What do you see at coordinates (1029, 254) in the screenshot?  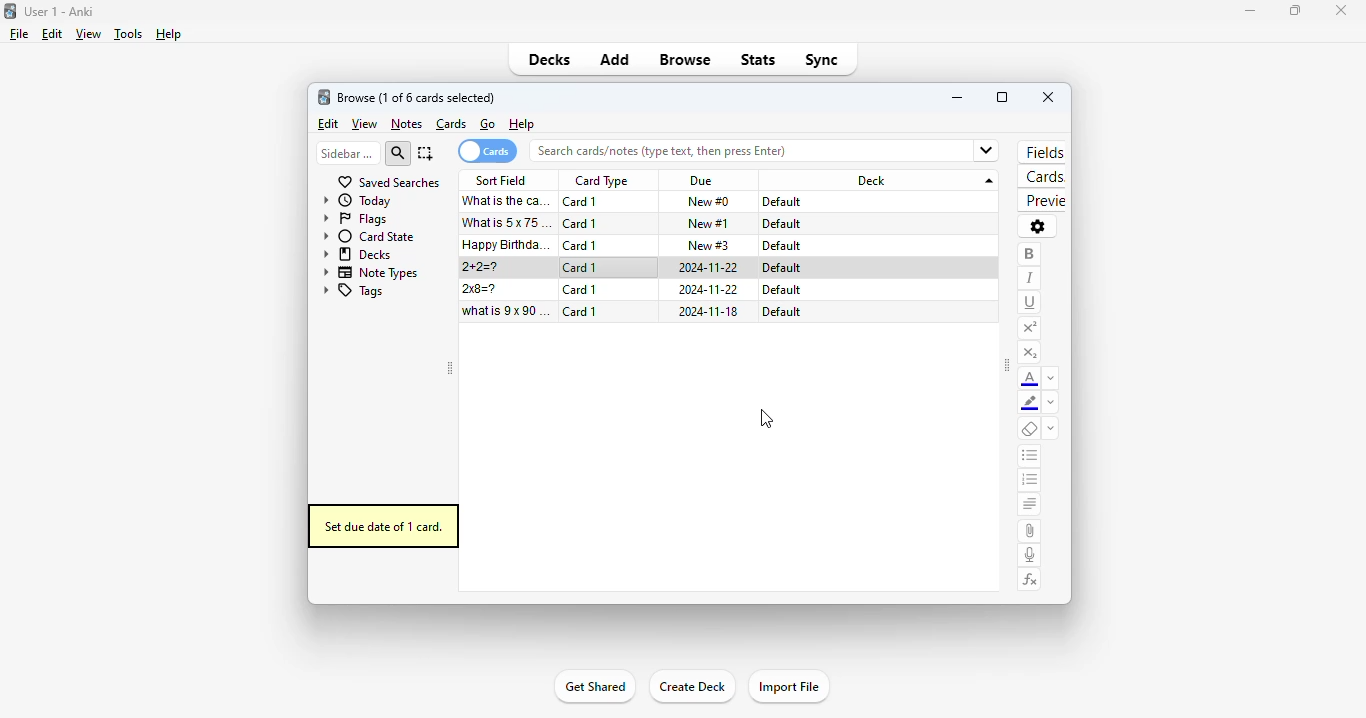 I see `bold` at bounding box center [1029, 254].